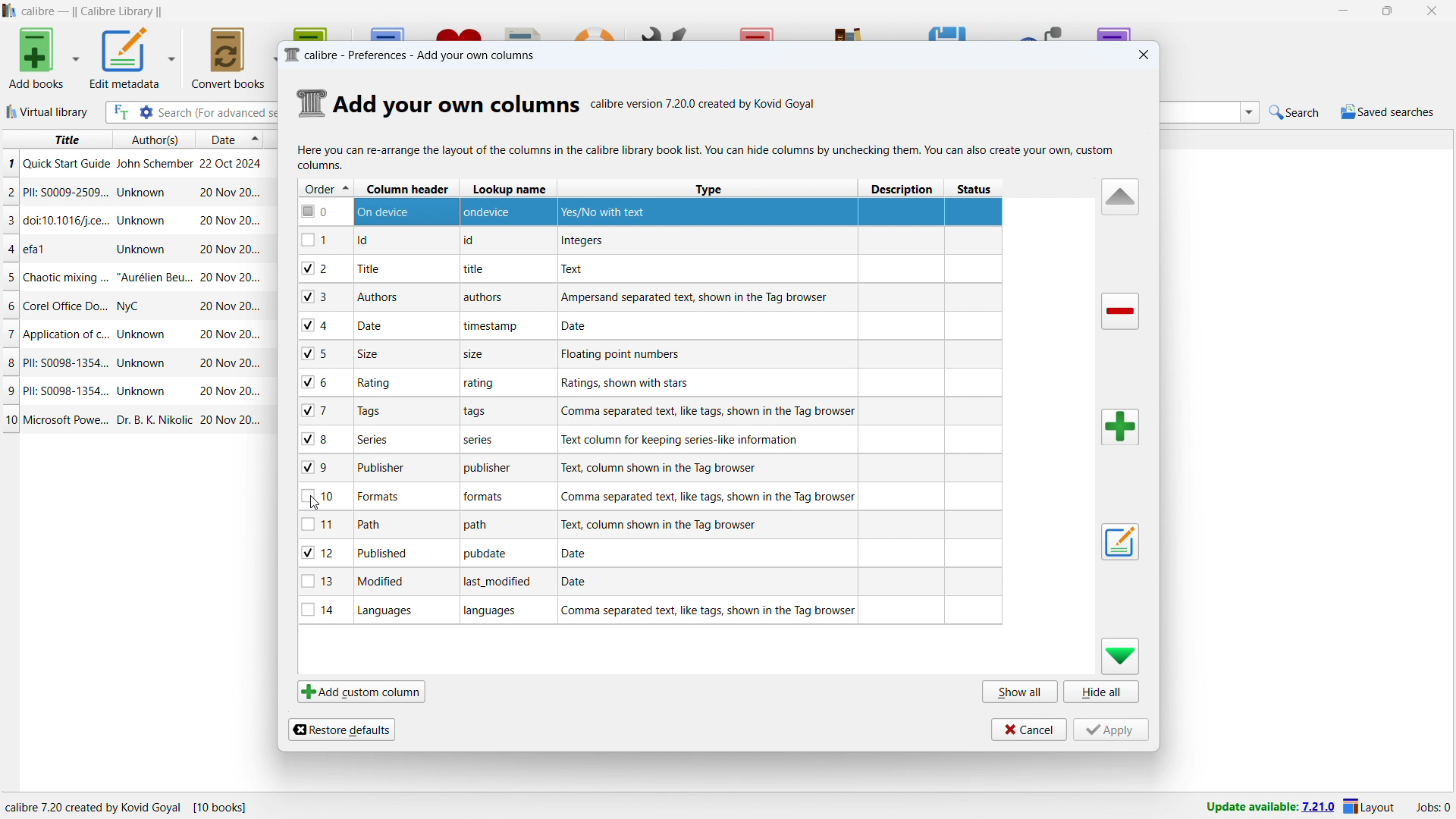 This screenshot has height=819, width=1456. I want to click on restore defaults, so click(340, 730).